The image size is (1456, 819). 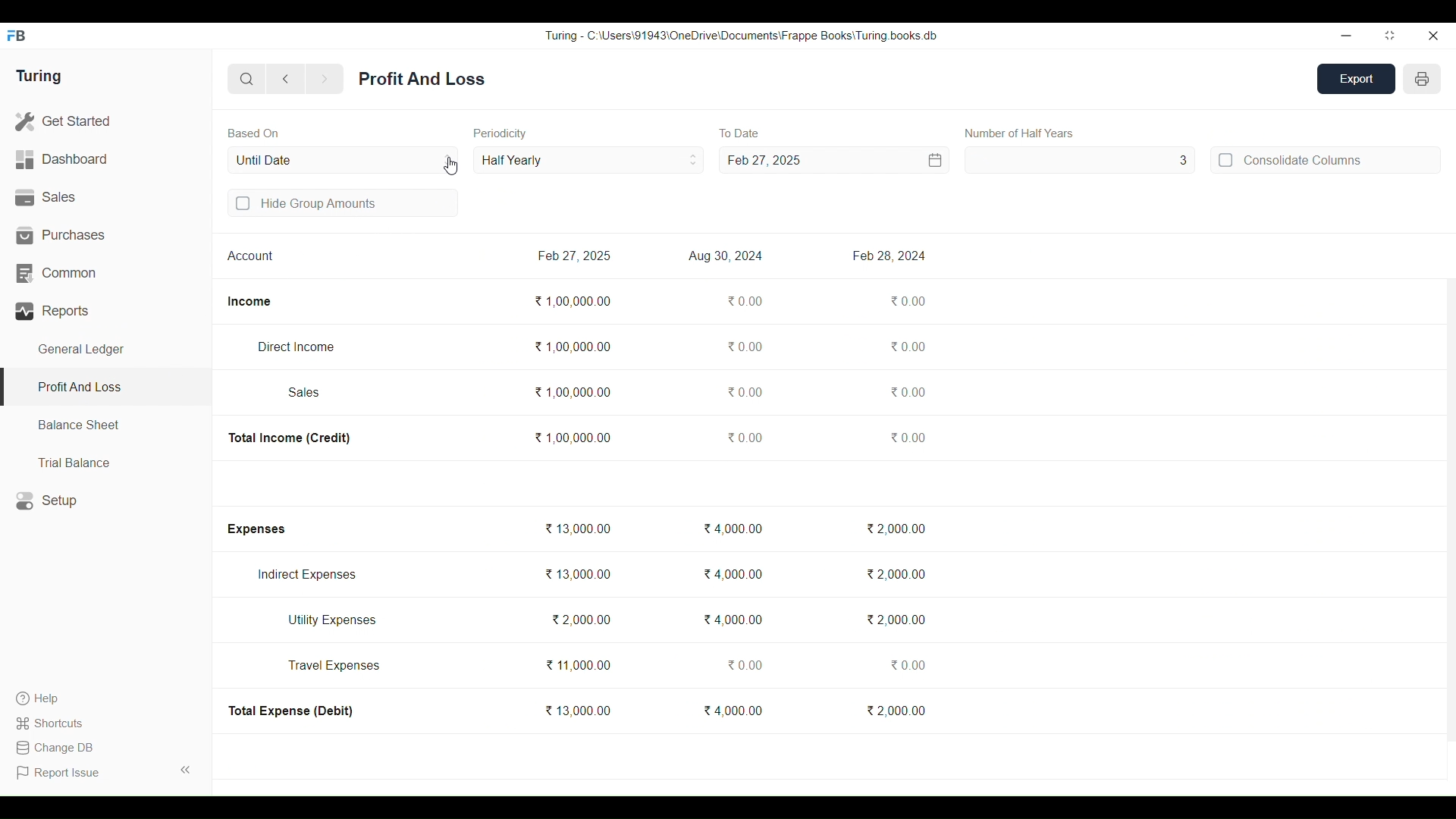 I want to click on Profit And Loss, so click(x=105, y=388).